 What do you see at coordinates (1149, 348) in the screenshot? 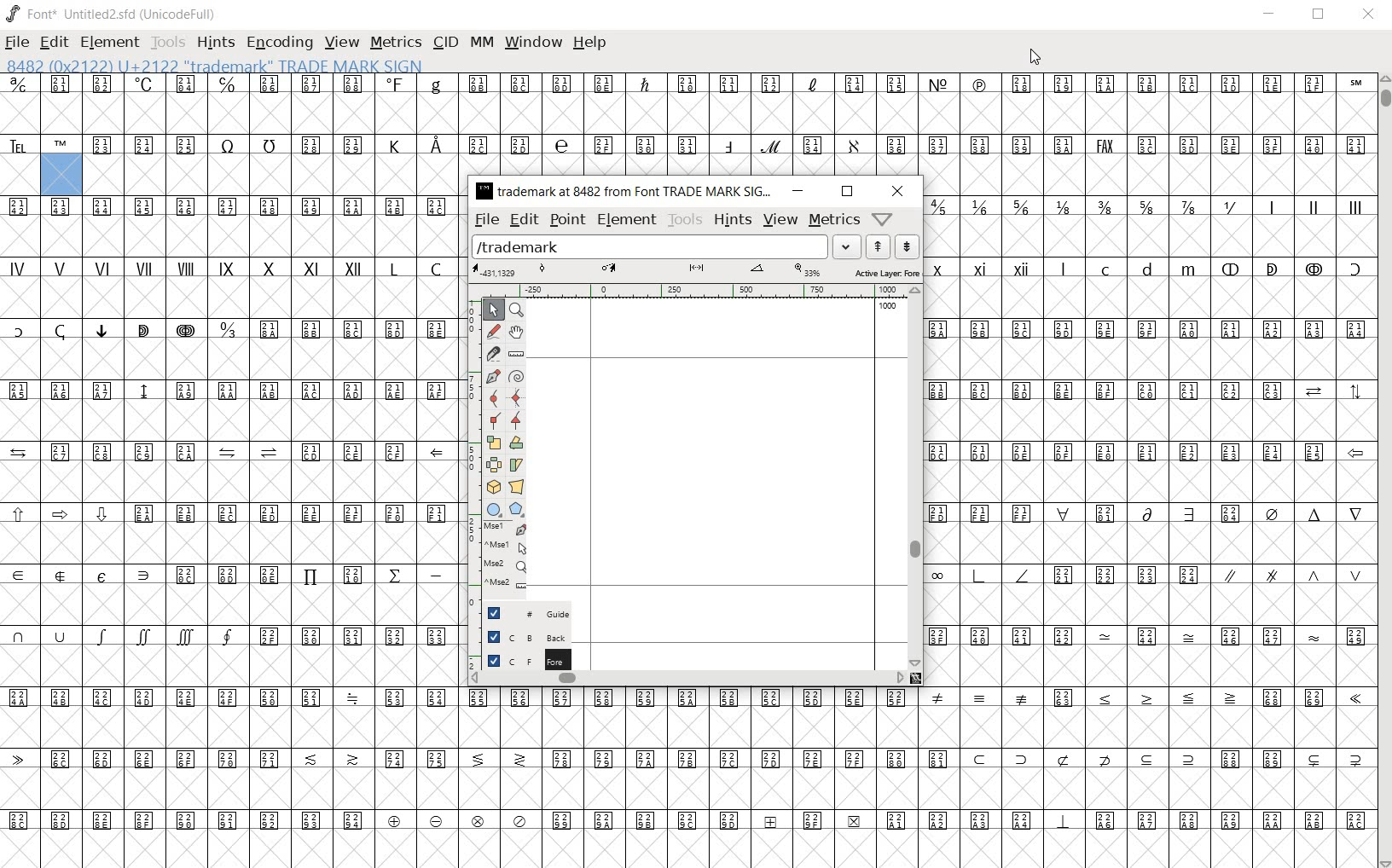
I see `symbols` at bounding box center [1149, 348].